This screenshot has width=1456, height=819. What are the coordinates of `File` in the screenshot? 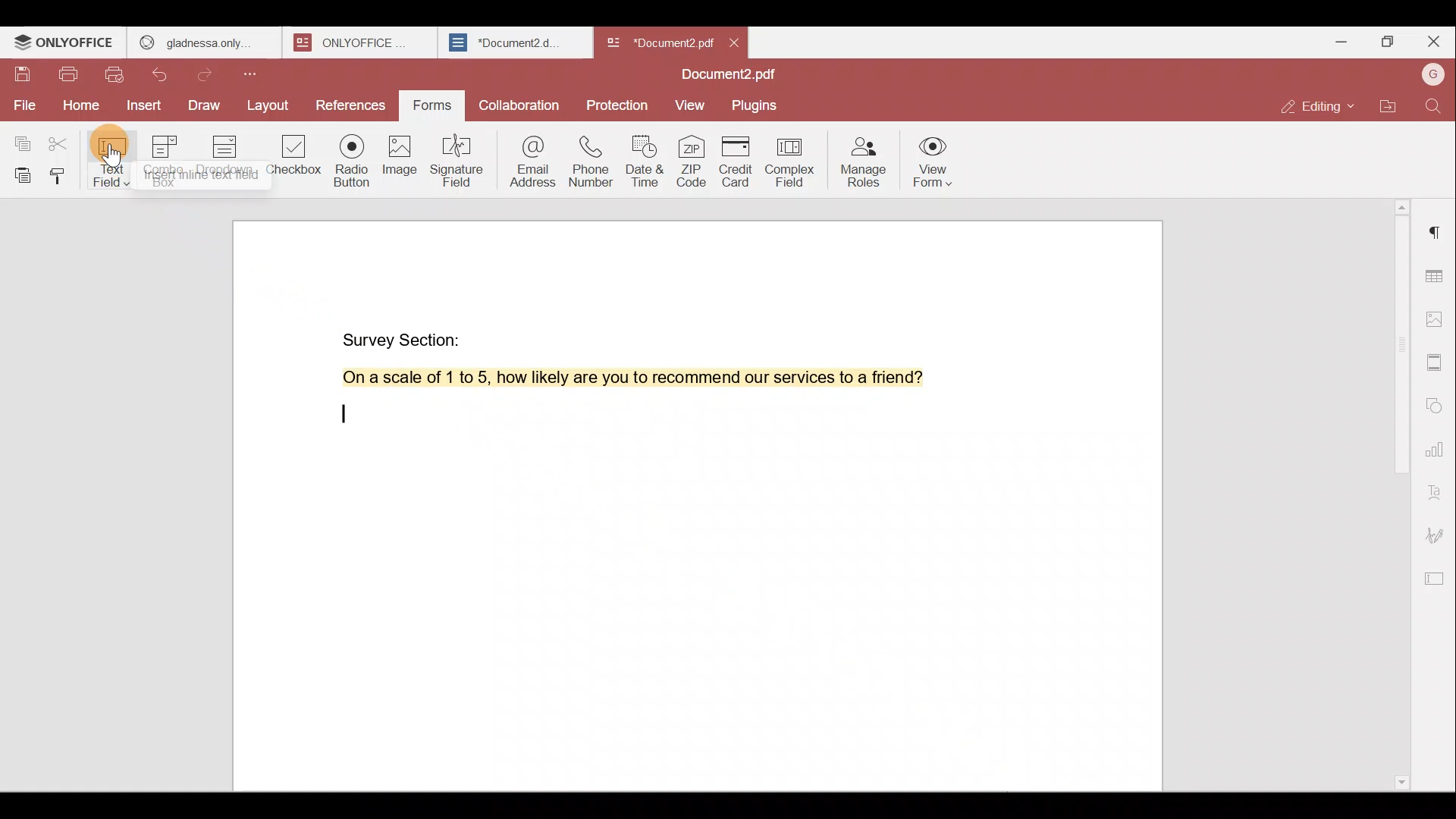 It's located at (23, 105).